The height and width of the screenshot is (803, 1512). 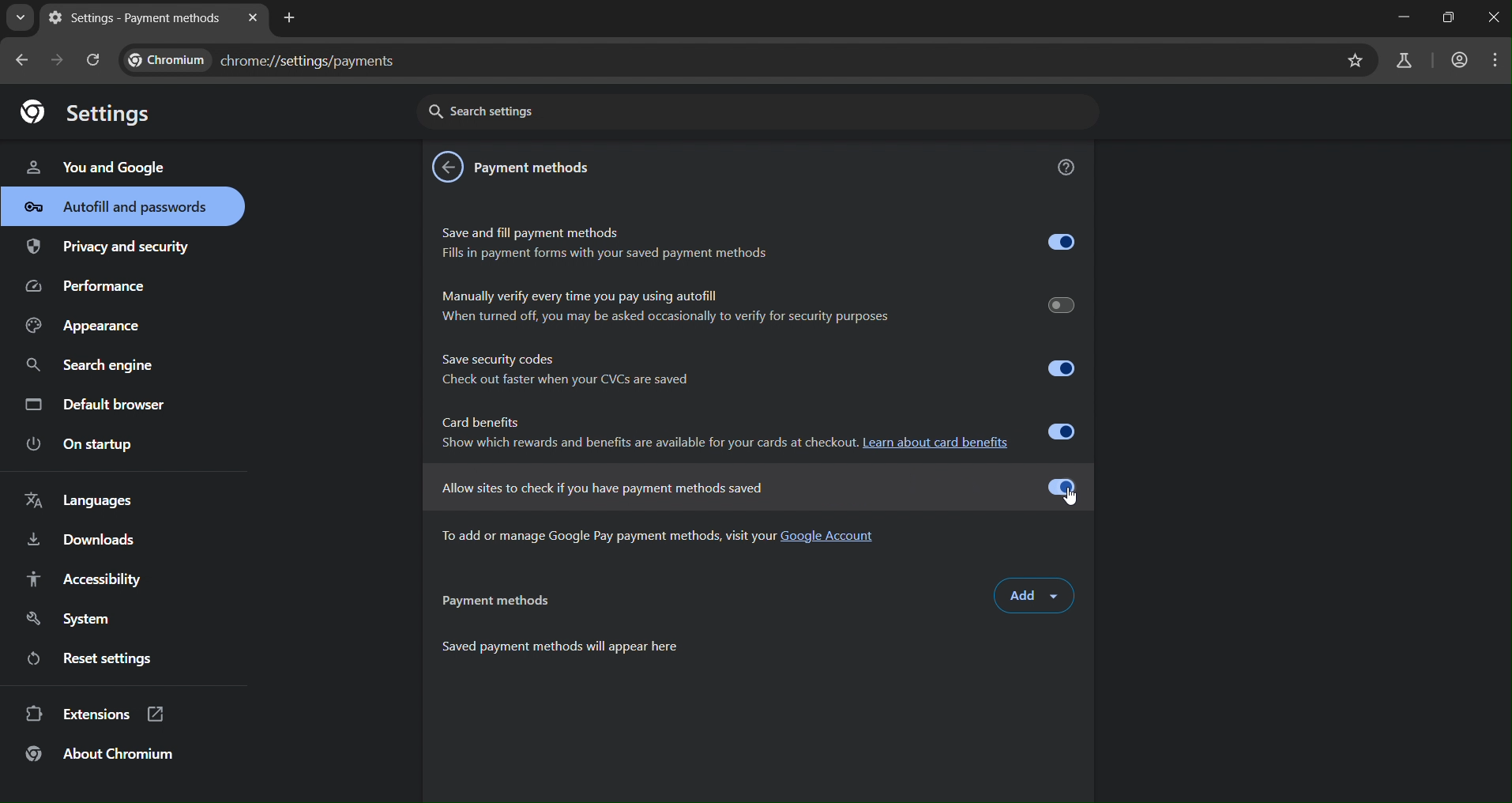 What do you see at coordinates (20, 18) in the screenshot?
I see `search tab` at bounding box center [20, 18].